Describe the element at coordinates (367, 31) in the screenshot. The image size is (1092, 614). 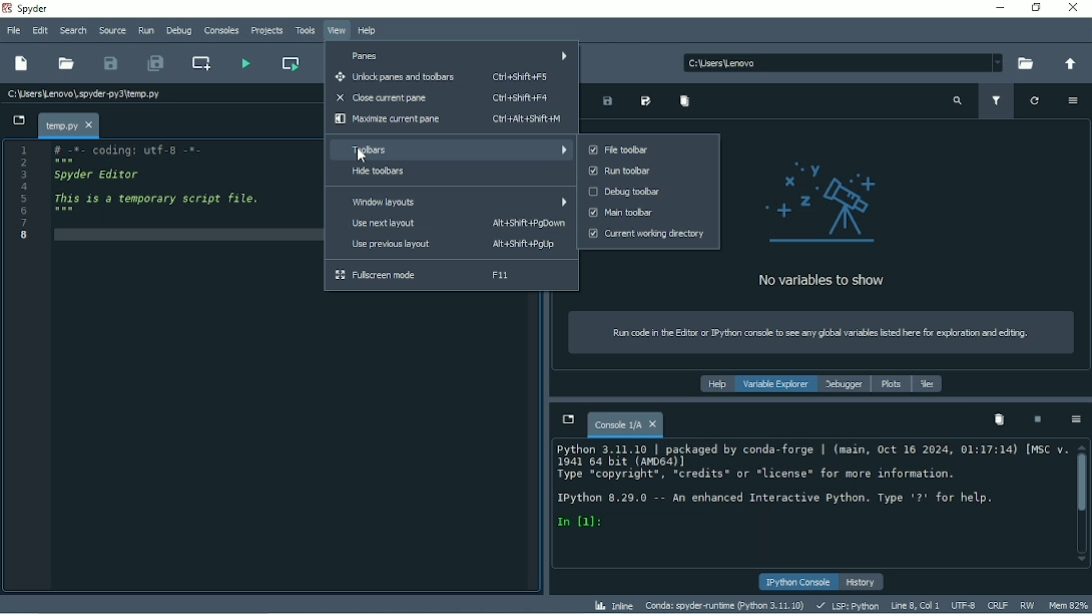
I see `Help` at that location.